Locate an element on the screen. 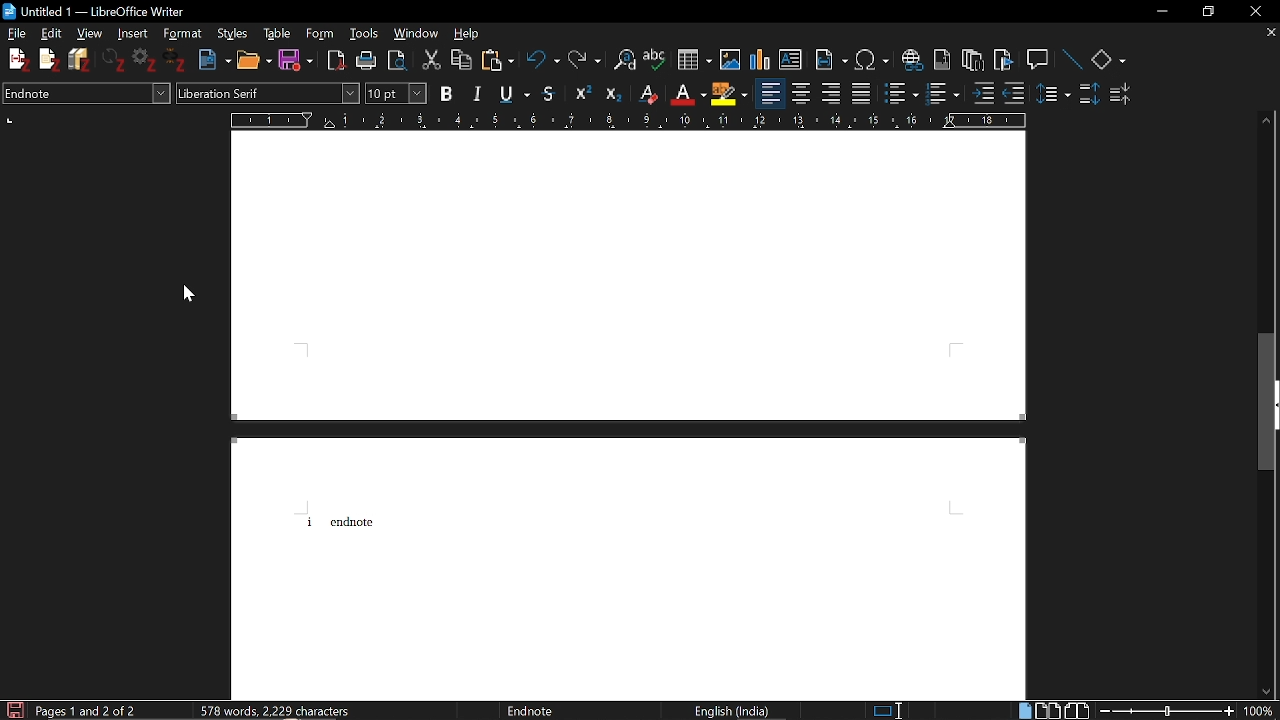 The height and width of the screenshot is (720, 1280). Underline is located at coordinates (517, 93).